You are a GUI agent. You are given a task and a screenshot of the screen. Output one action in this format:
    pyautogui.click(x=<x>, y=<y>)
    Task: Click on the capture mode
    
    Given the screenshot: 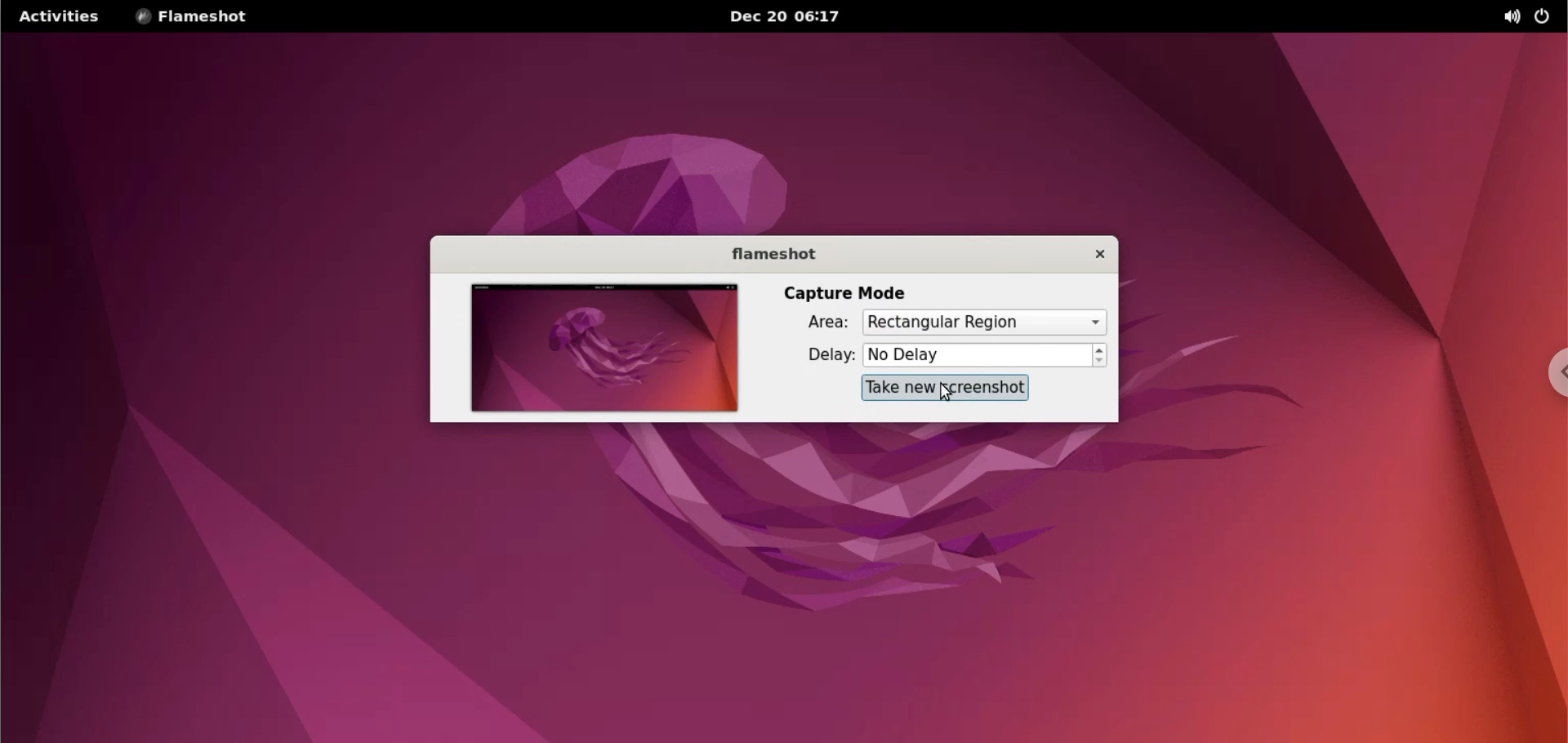 What is the action you would take?
    pyautogui.click(x=849, y=292)
    